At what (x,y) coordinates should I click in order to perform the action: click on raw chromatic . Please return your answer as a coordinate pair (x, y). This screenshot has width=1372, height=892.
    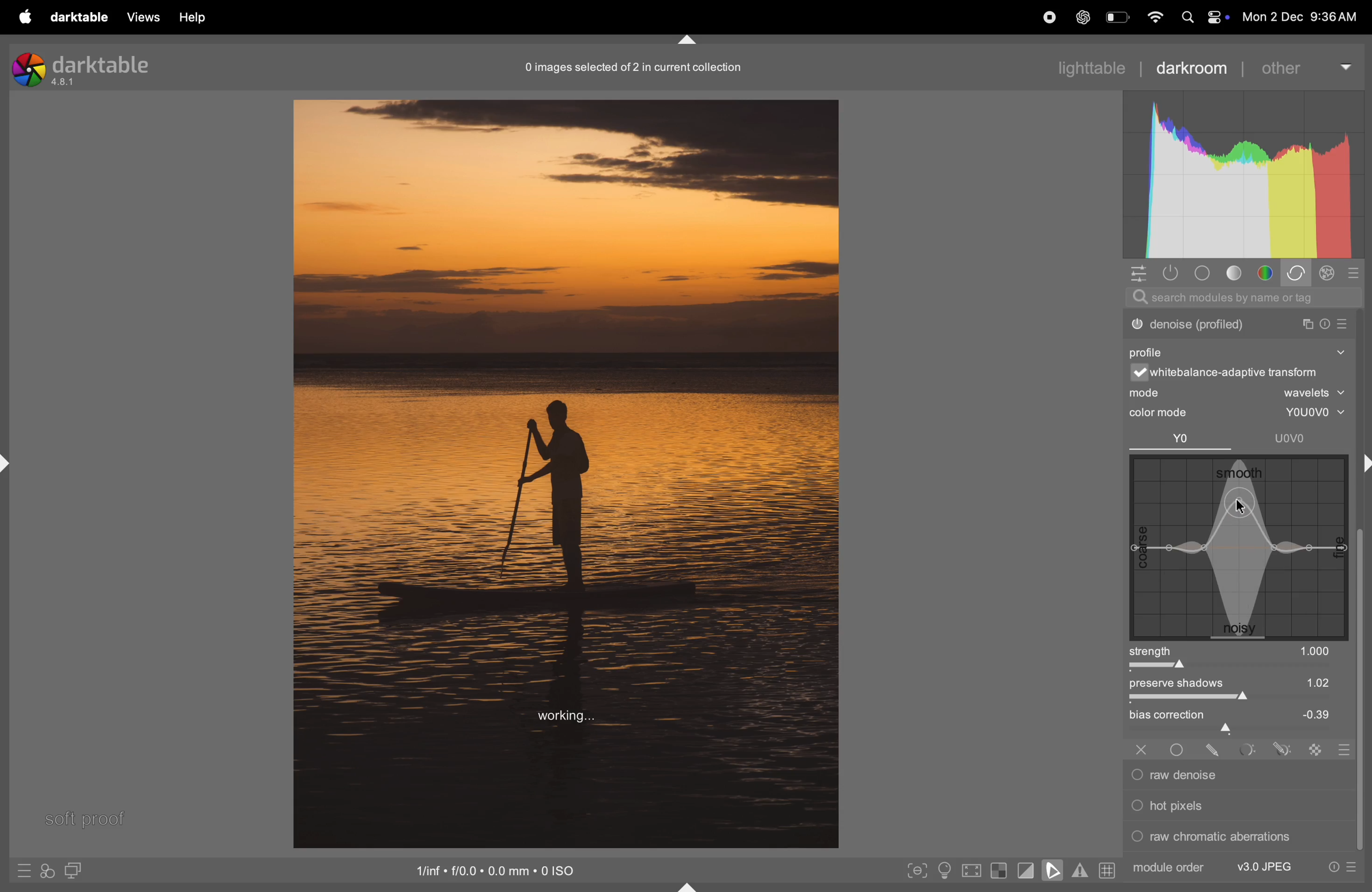
    Looking at the image, I should click on (1236, 840).